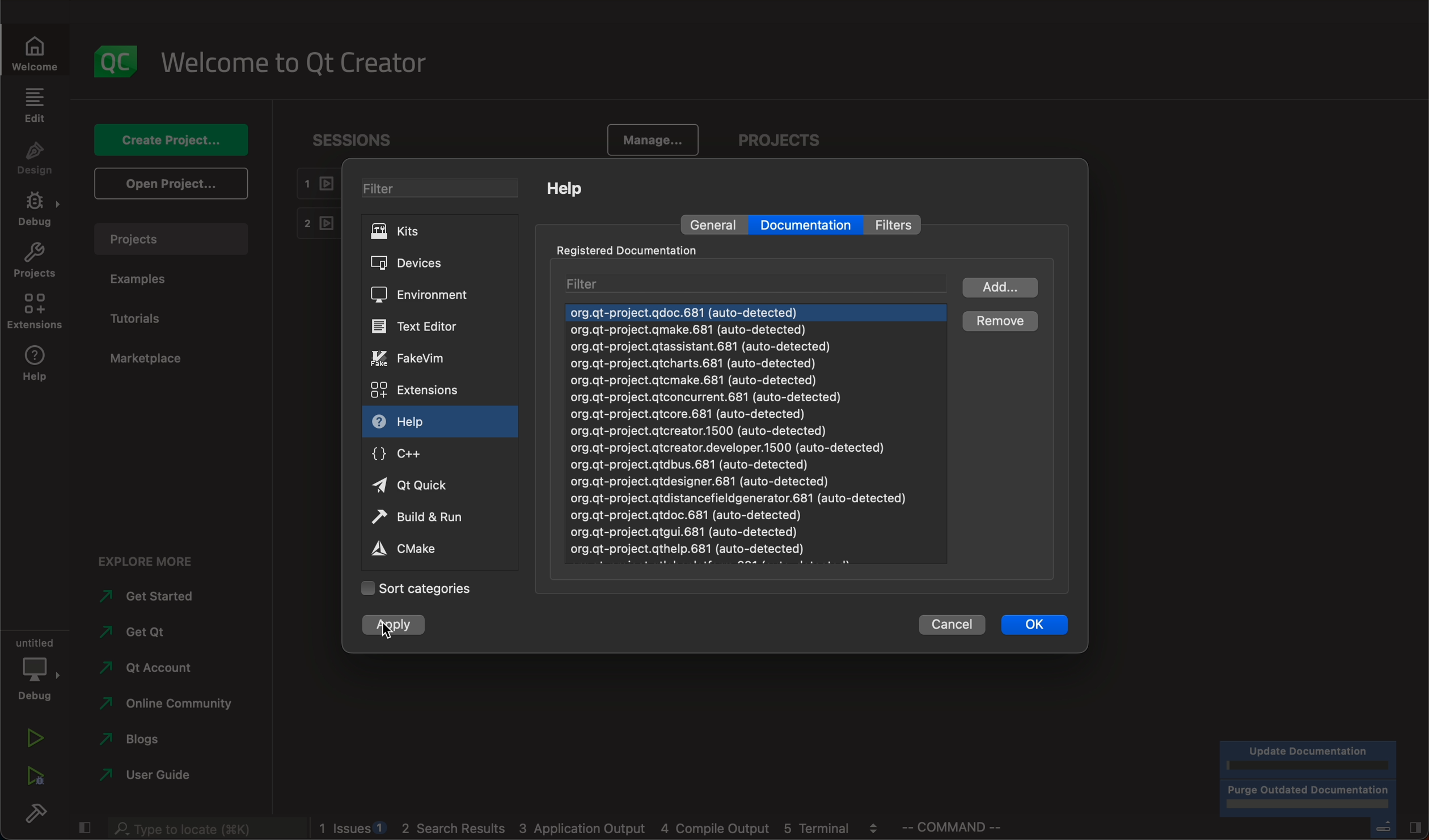 The height and width of the screenshot is (840, 1429). What do you see at coordinates (758, 313) in the screenshot?
I see `next document` at bounding box center [758, 313].